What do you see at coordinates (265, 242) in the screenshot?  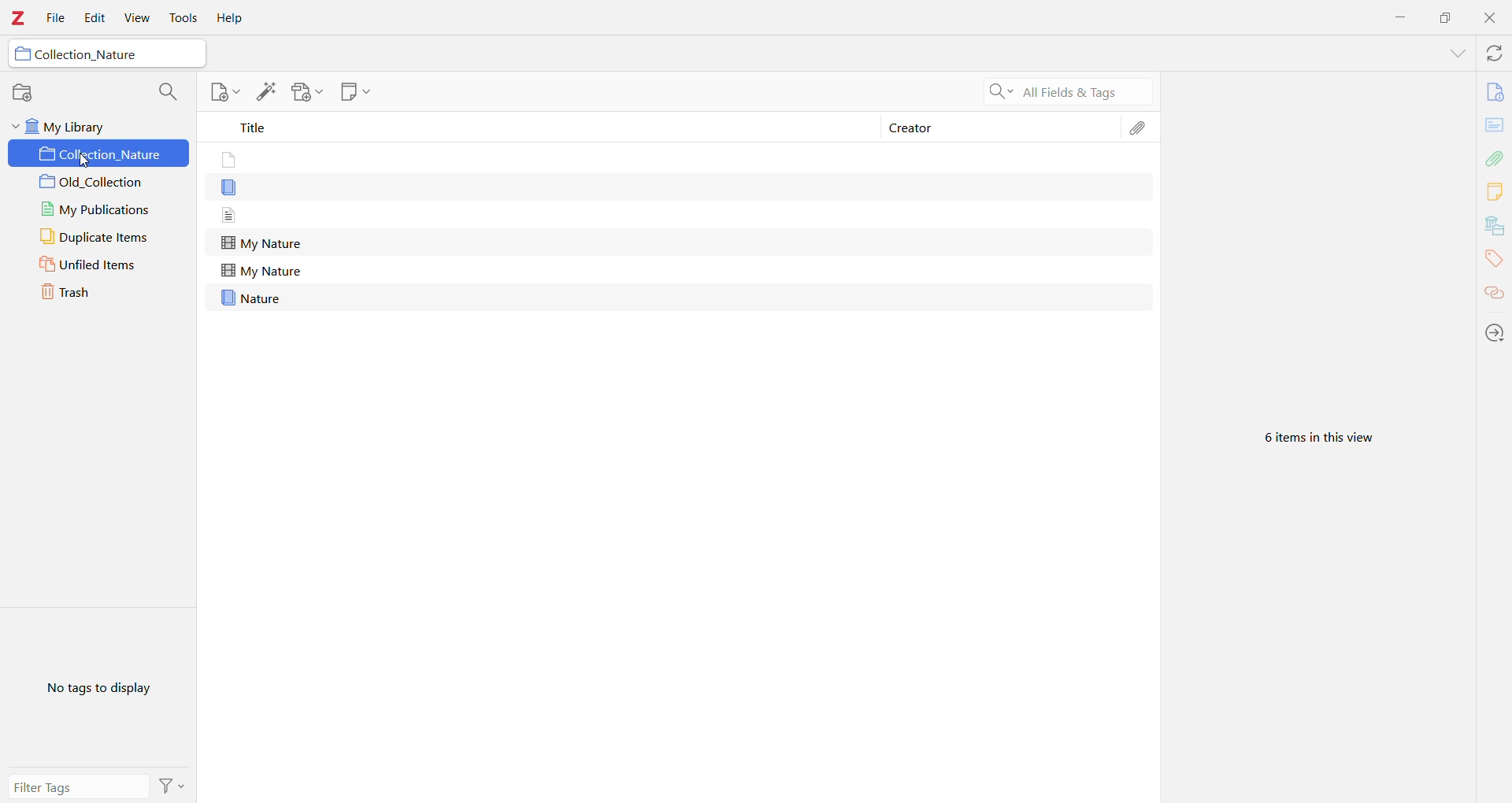 I see `My Nature file` at bounding box center [265, 242].